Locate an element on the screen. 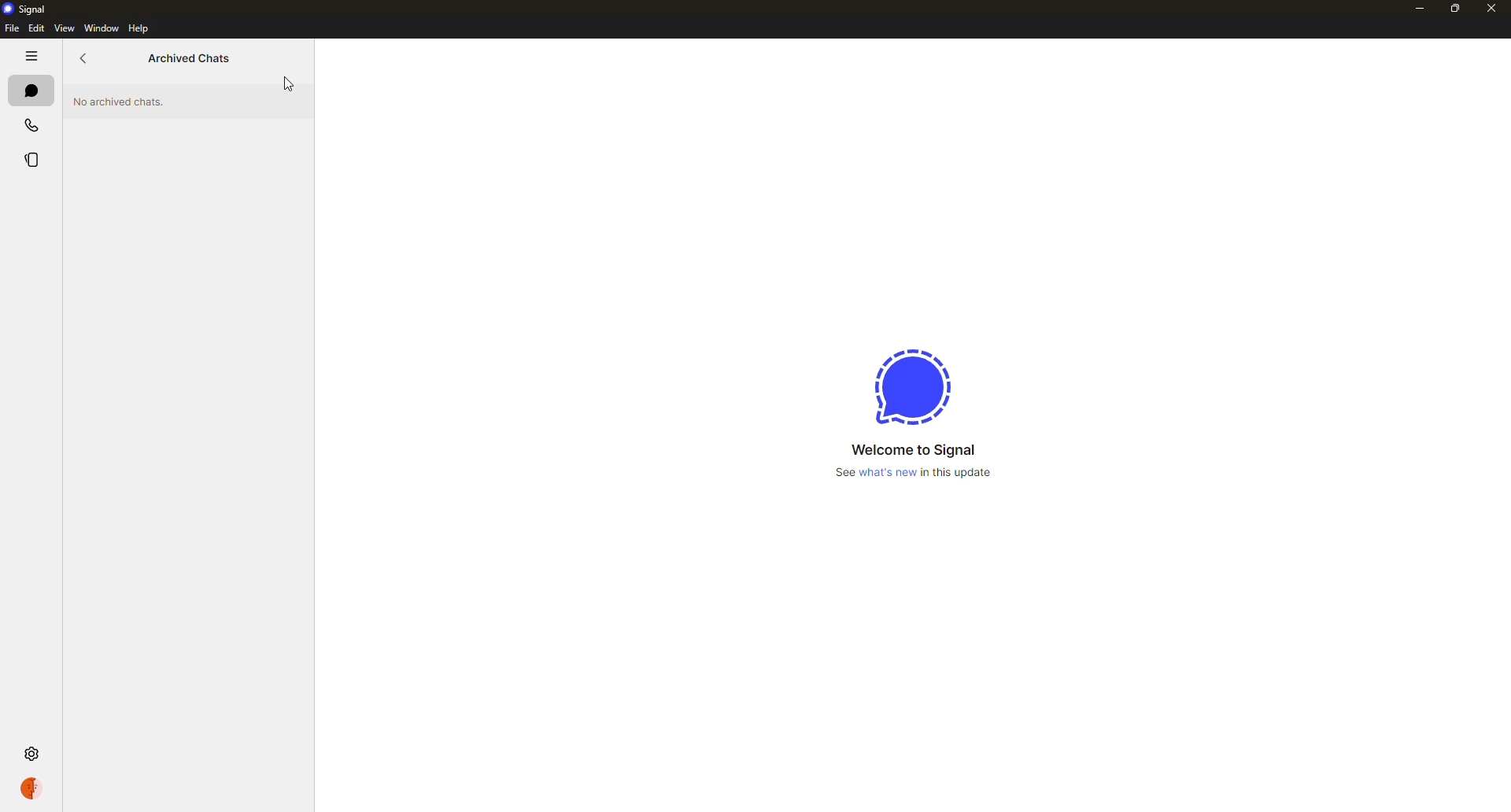 This screenshot has height=812, width=1511. cursor is located at coordinates (288, 82).